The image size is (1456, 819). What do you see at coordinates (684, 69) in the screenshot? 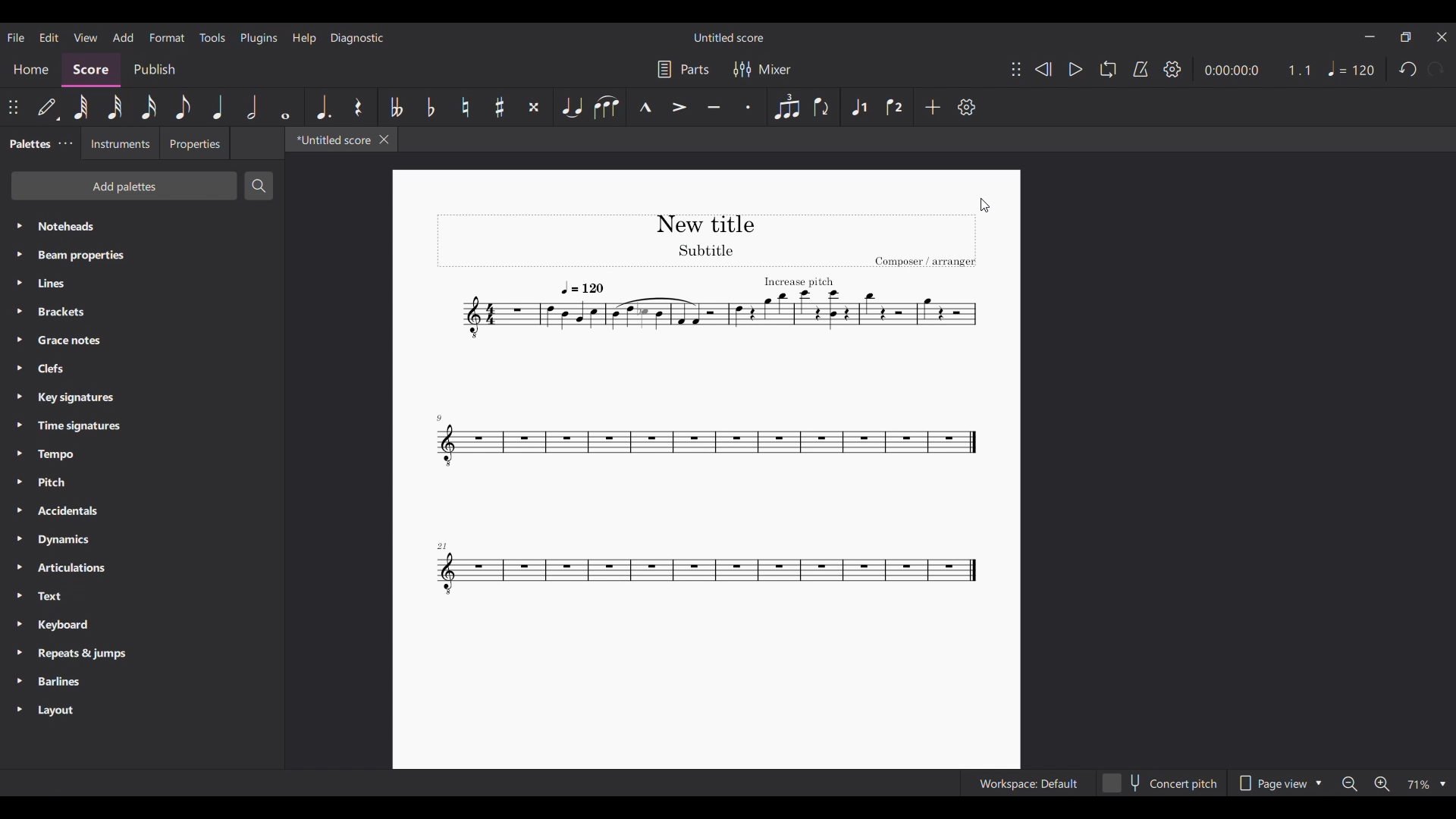
I see `Parts settings` at bounding box center [684, 69].